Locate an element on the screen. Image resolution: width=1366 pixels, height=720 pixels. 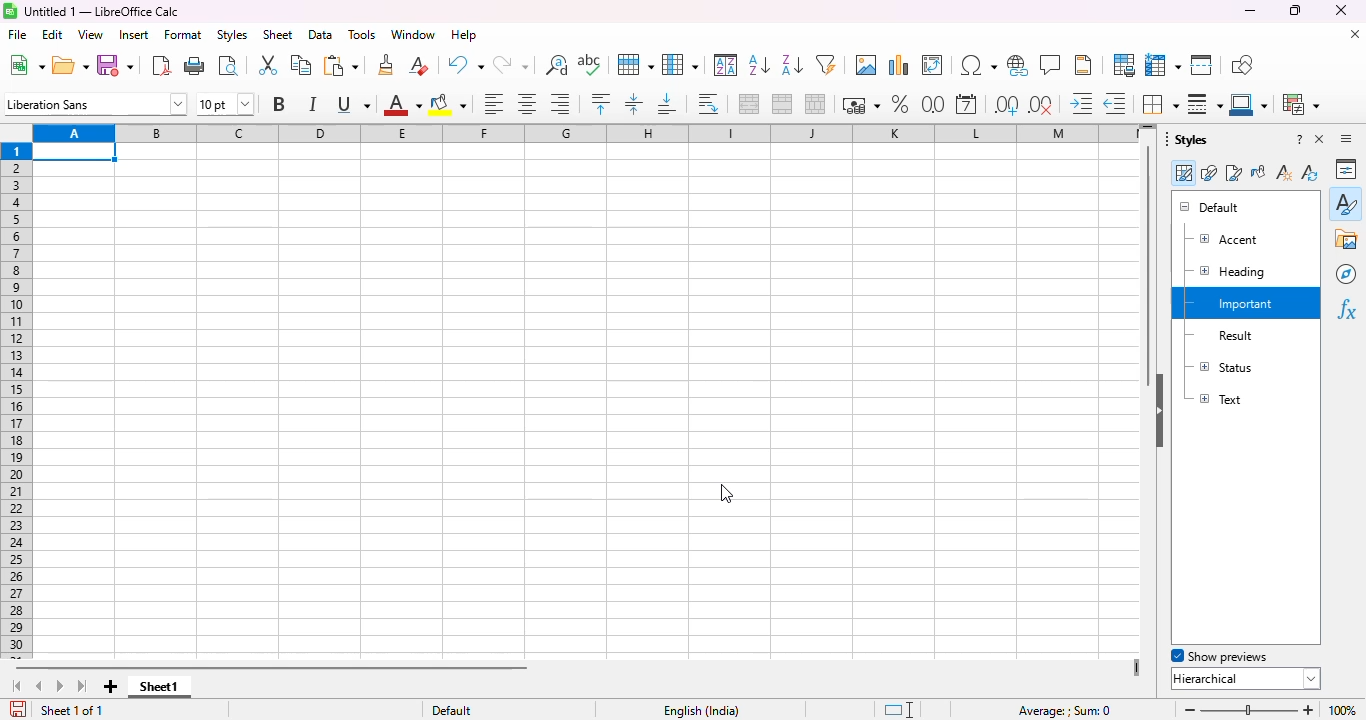
wrap text is located at coordinates (707, 104).